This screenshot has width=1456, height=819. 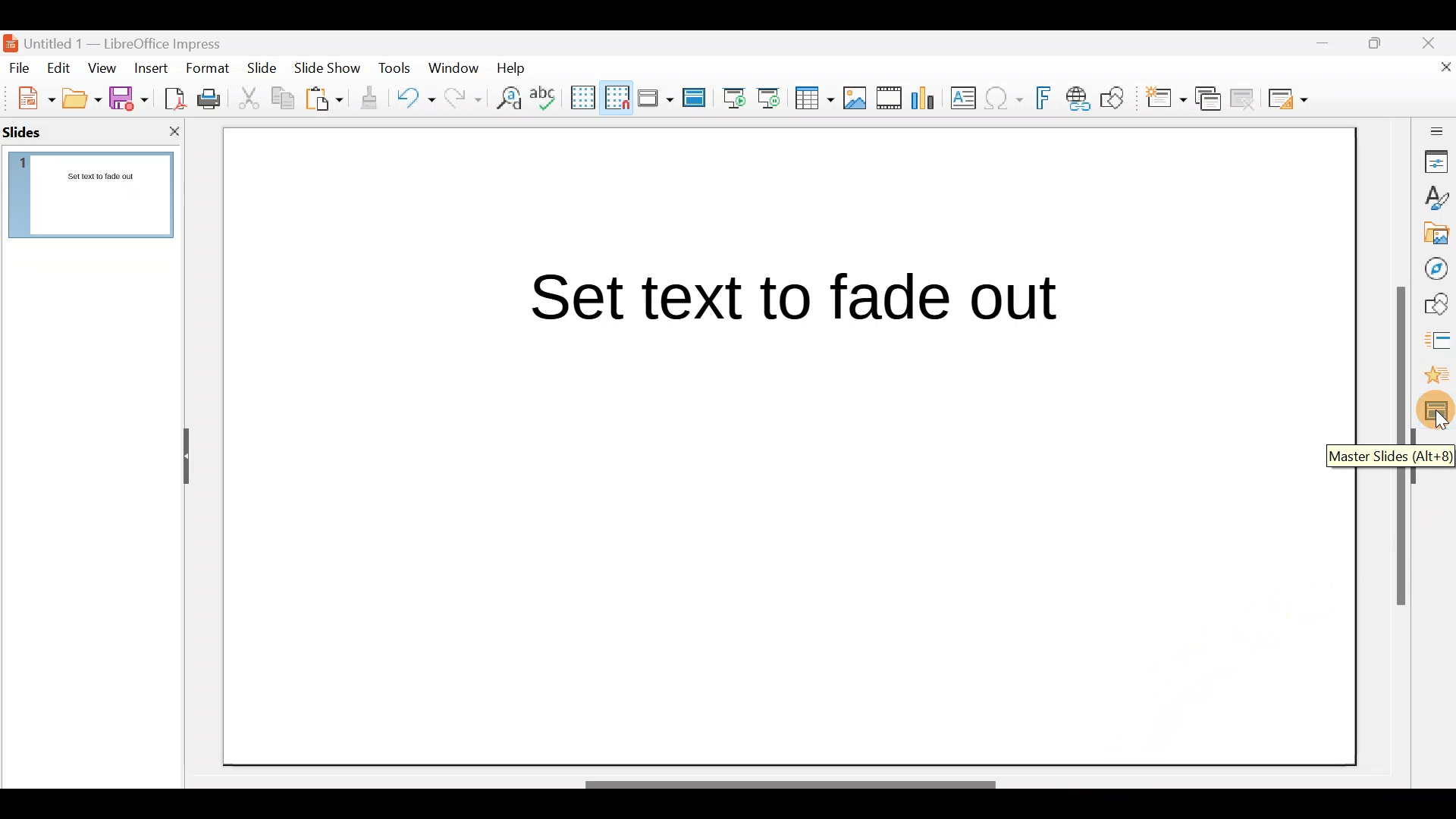 What do you see at coordinates (734, 96) in the screenshot?
I see `Start from first slide` at bounding box center [734, 96].